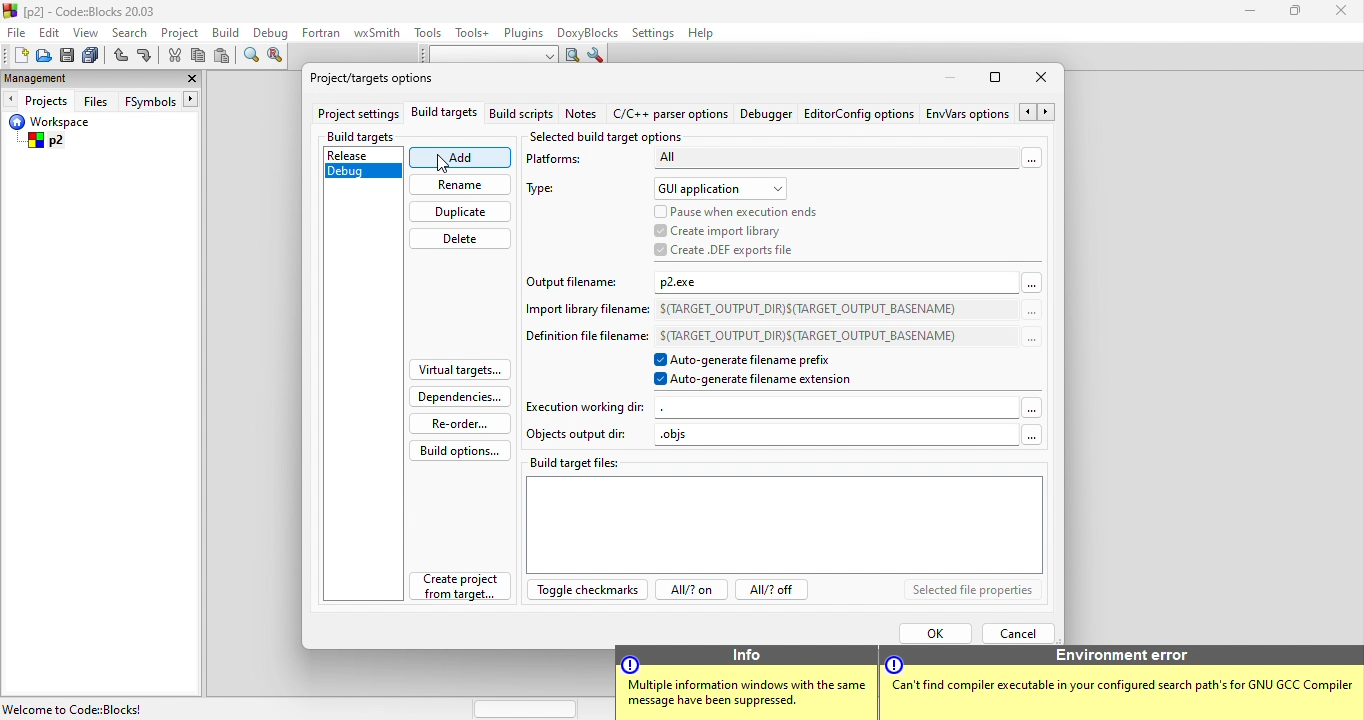 The image size is (1364, 720). What do you see at coordinates (377, 33) in the screenshot?
I see `wxsmith` at bounding box center [377, 33].